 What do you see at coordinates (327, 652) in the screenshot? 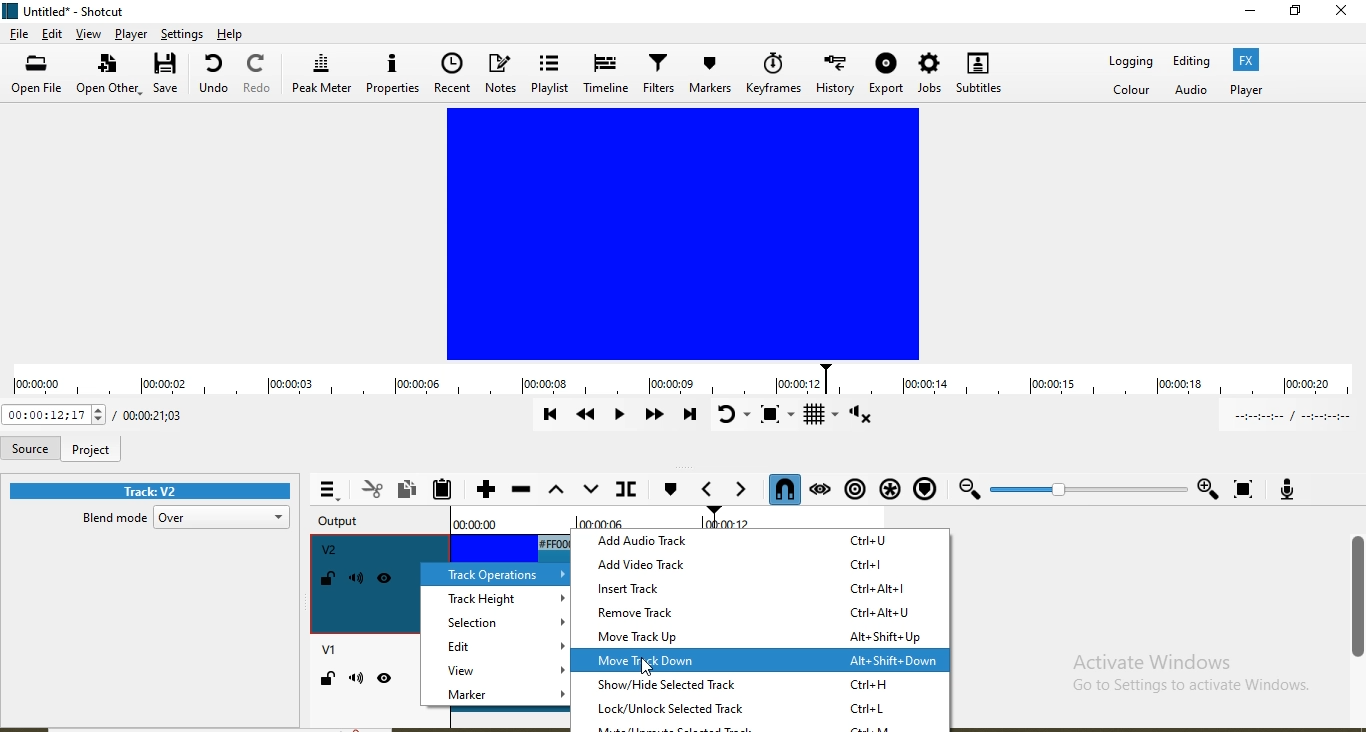
I see `V1` at bounding box center [327, 652].